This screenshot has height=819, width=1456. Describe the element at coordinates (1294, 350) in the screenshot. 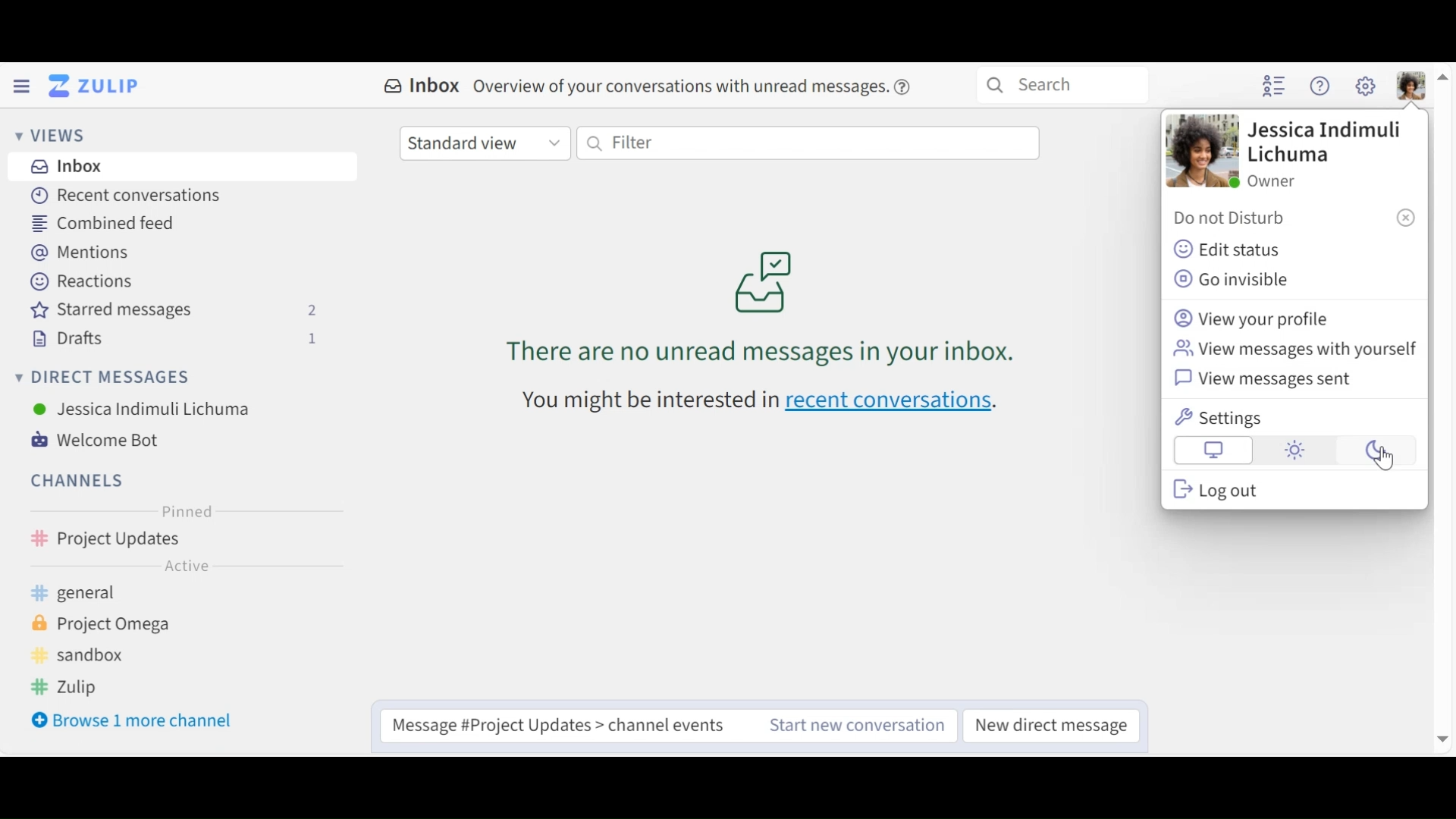

I see `View messages with yourself` at that location.